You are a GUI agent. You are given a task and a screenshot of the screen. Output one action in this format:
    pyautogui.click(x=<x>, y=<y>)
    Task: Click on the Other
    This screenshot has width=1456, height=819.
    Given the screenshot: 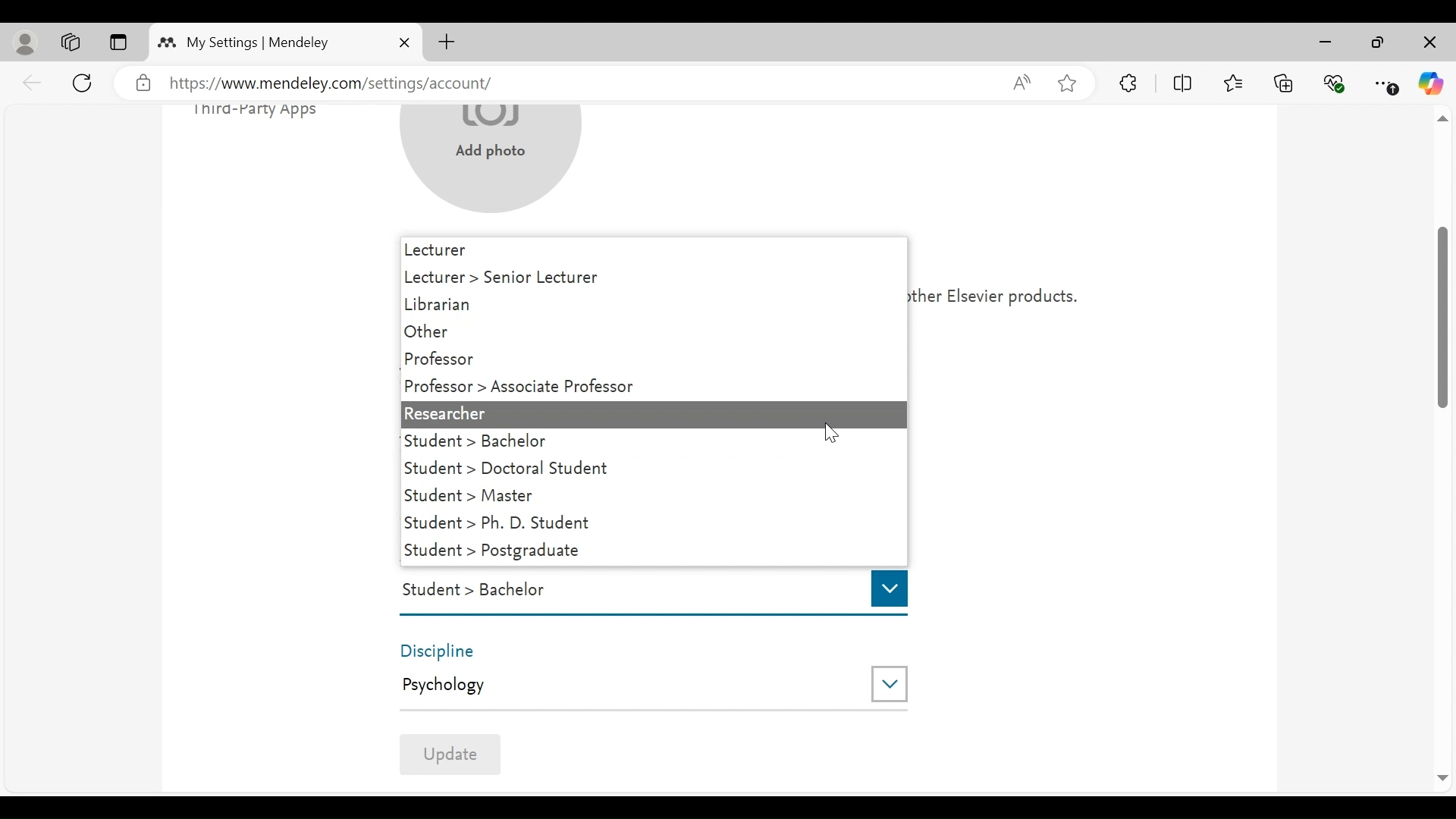 What is the action you would take?
    pyautogui.click(x=650, y=332)
    